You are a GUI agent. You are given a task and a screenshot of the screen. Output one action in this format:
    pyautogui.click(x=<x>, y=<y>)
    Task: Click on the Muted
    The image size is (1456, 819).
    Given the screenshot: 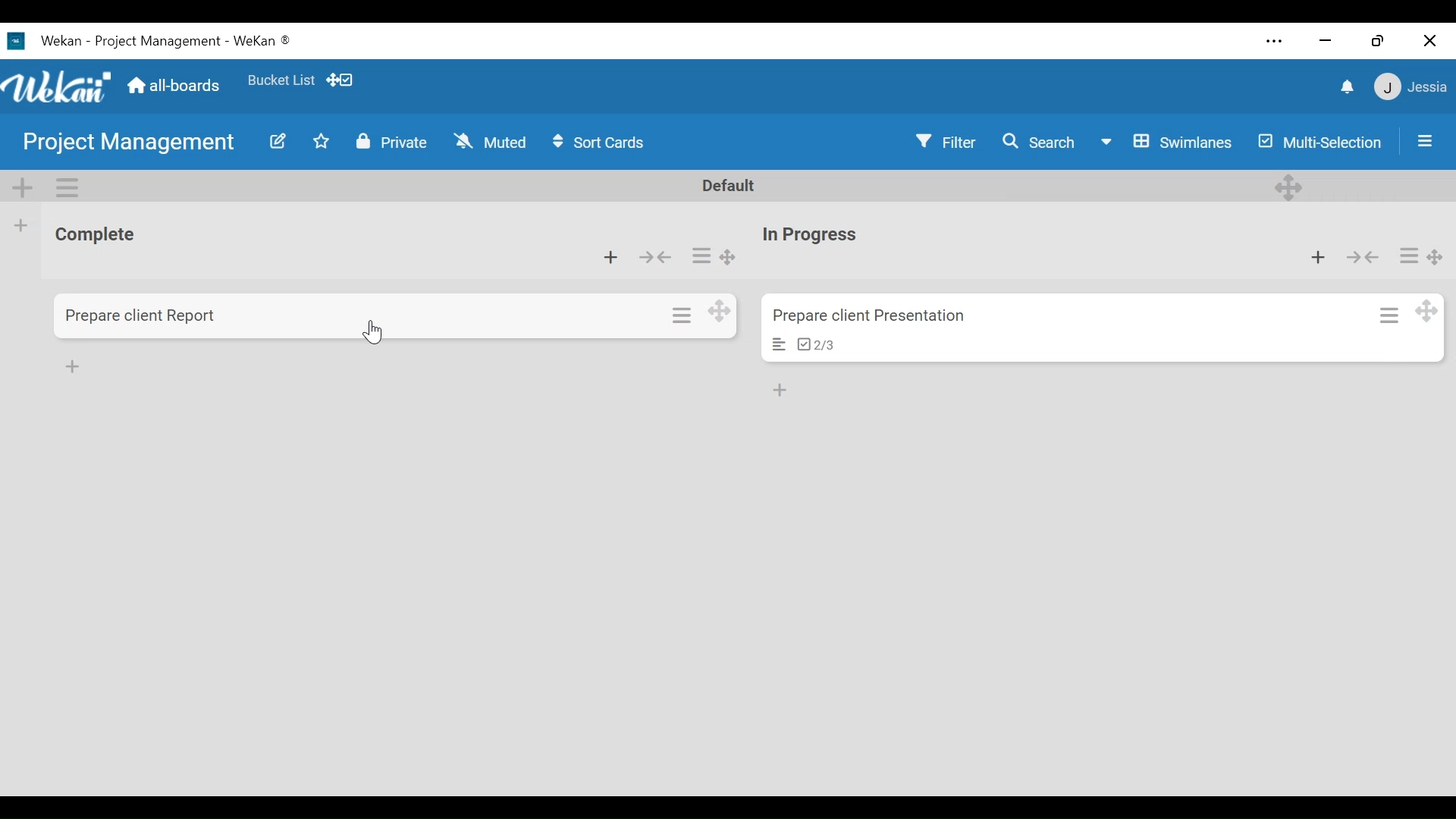 What is the action you would take?
    pyautogui.click(x=490, y=142)
    